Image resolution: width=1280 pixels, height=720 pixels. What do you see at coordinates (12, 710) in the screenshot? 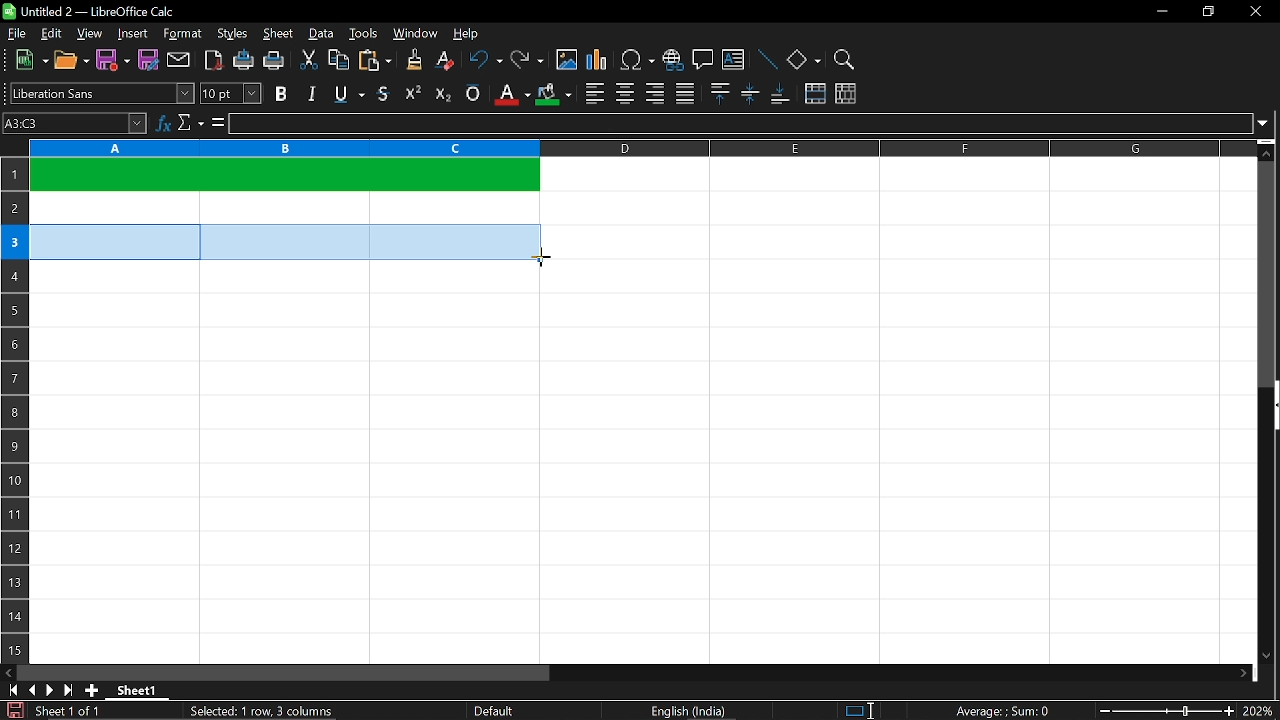
I see `save ` at bounding box center [12, 710].